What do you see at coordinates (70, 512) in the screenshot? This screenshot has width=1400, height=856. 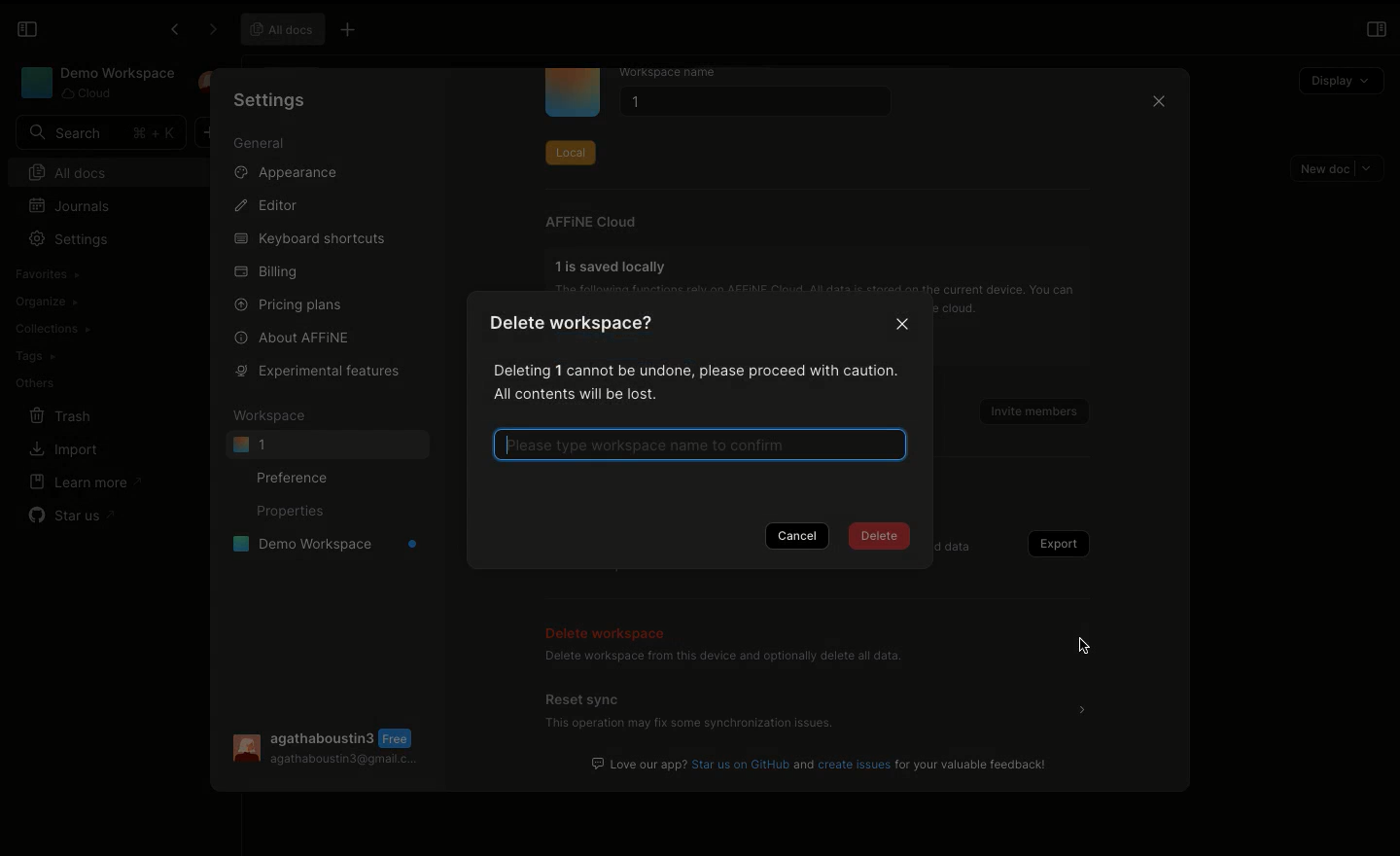 I see `Star us` at bounding box center [70, 512].